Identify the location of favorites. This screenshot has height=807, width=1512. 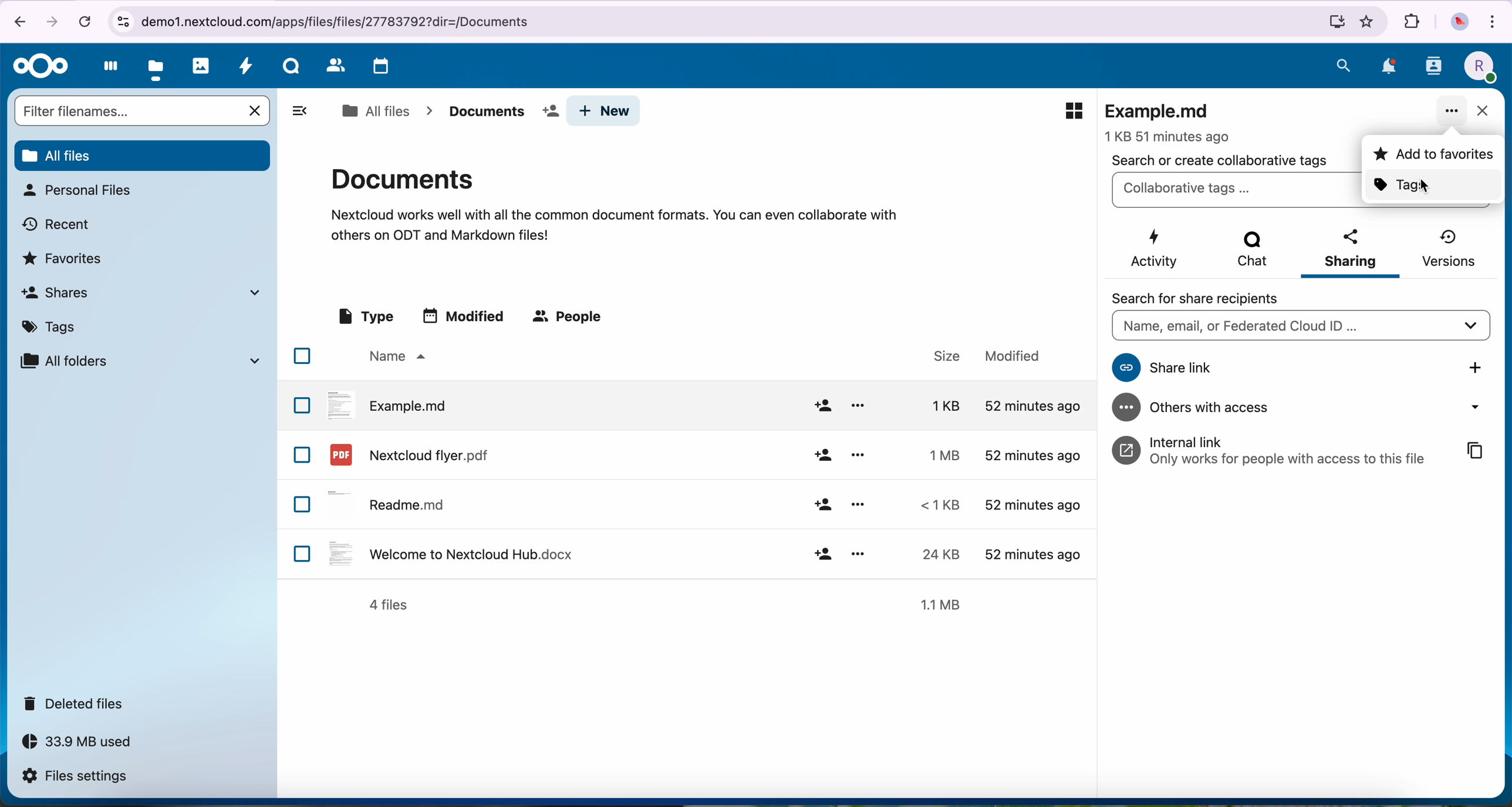
(1368, 22).